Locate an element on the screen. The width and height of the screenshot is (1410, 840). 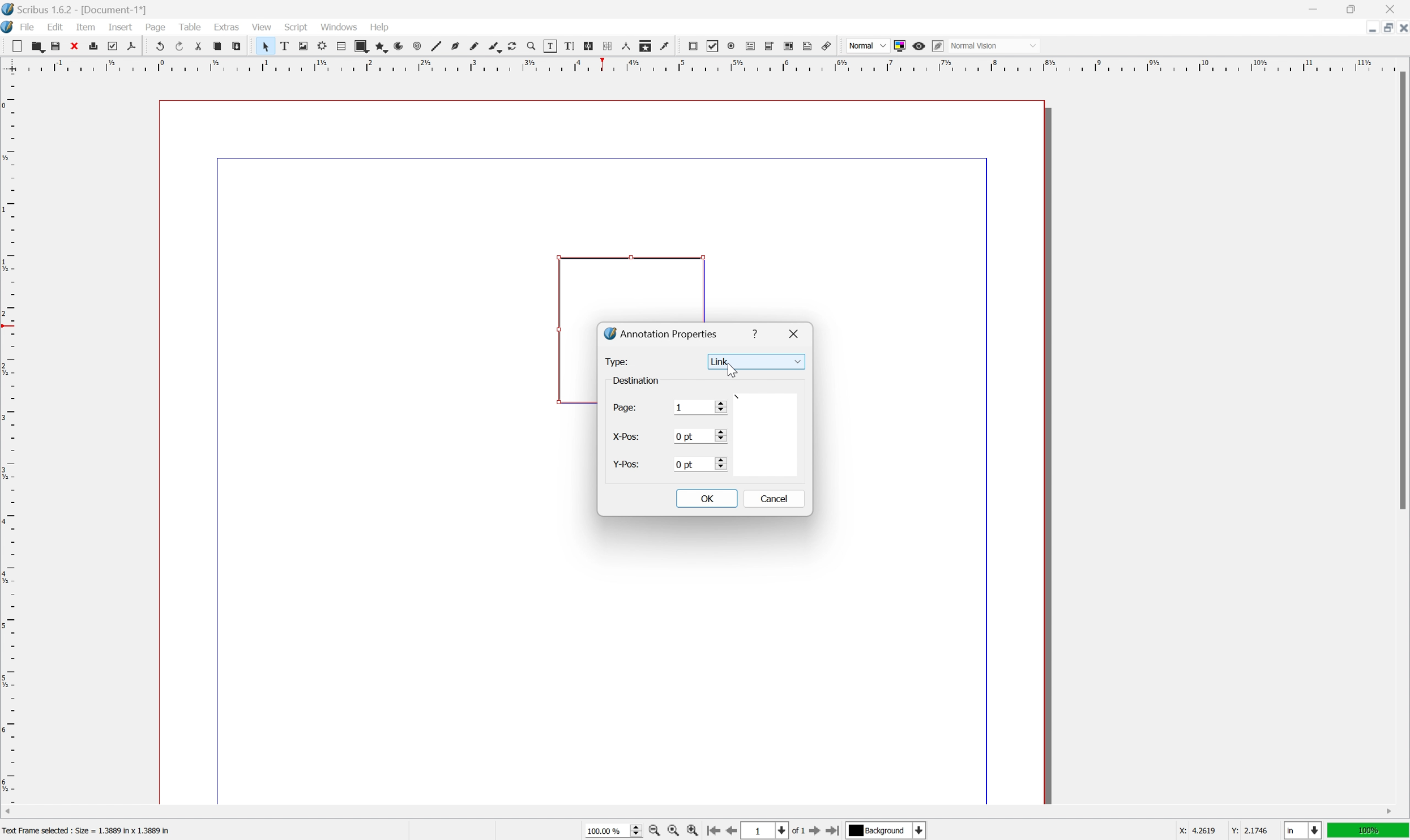
go to next page is located at coordinates (817, 832).